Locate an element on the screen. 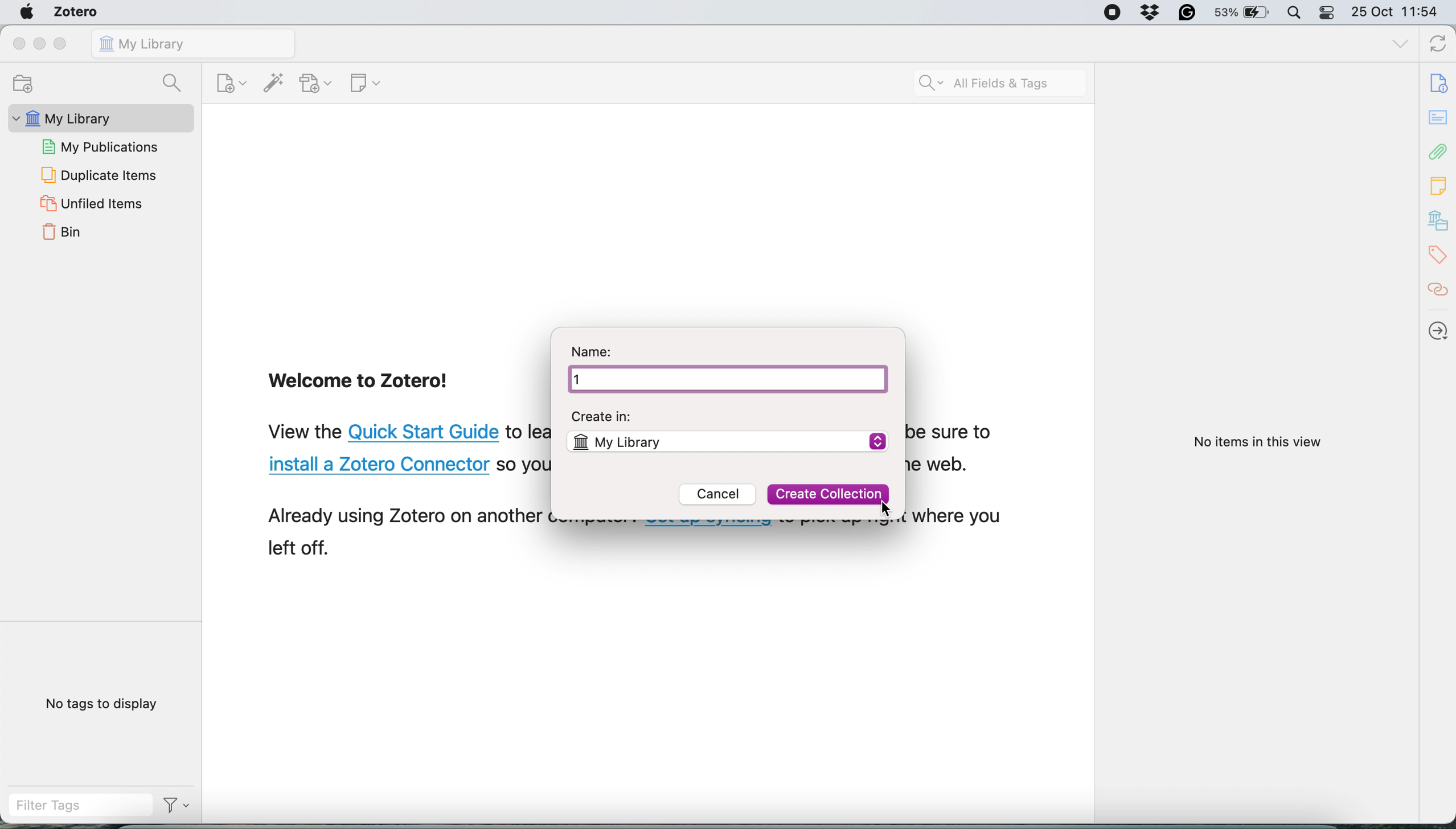  bin is located at coordinates (61, 235).